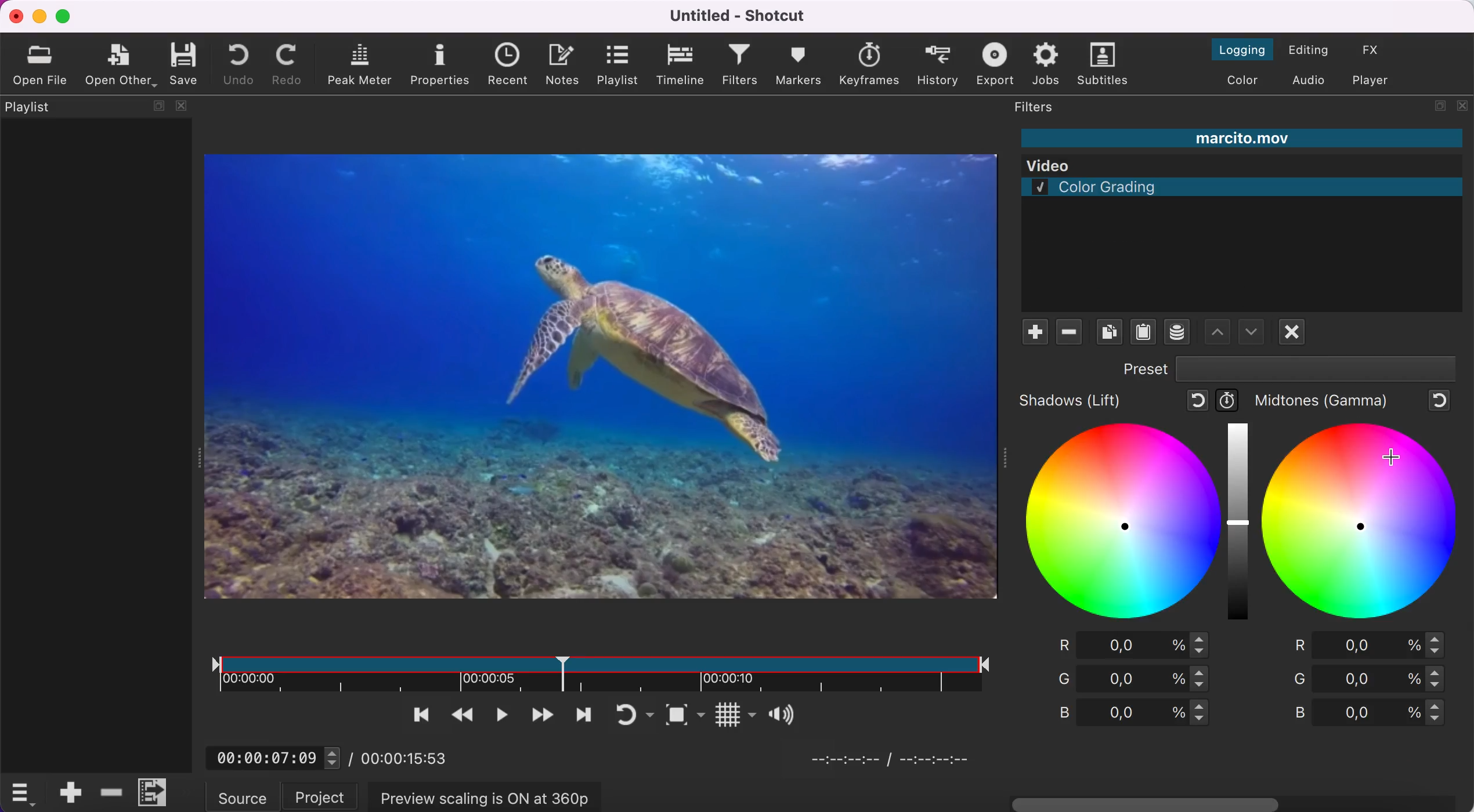  Describe the element at coordinates (1179, 333) in the screenshot. I see `save a filter set` at that location.